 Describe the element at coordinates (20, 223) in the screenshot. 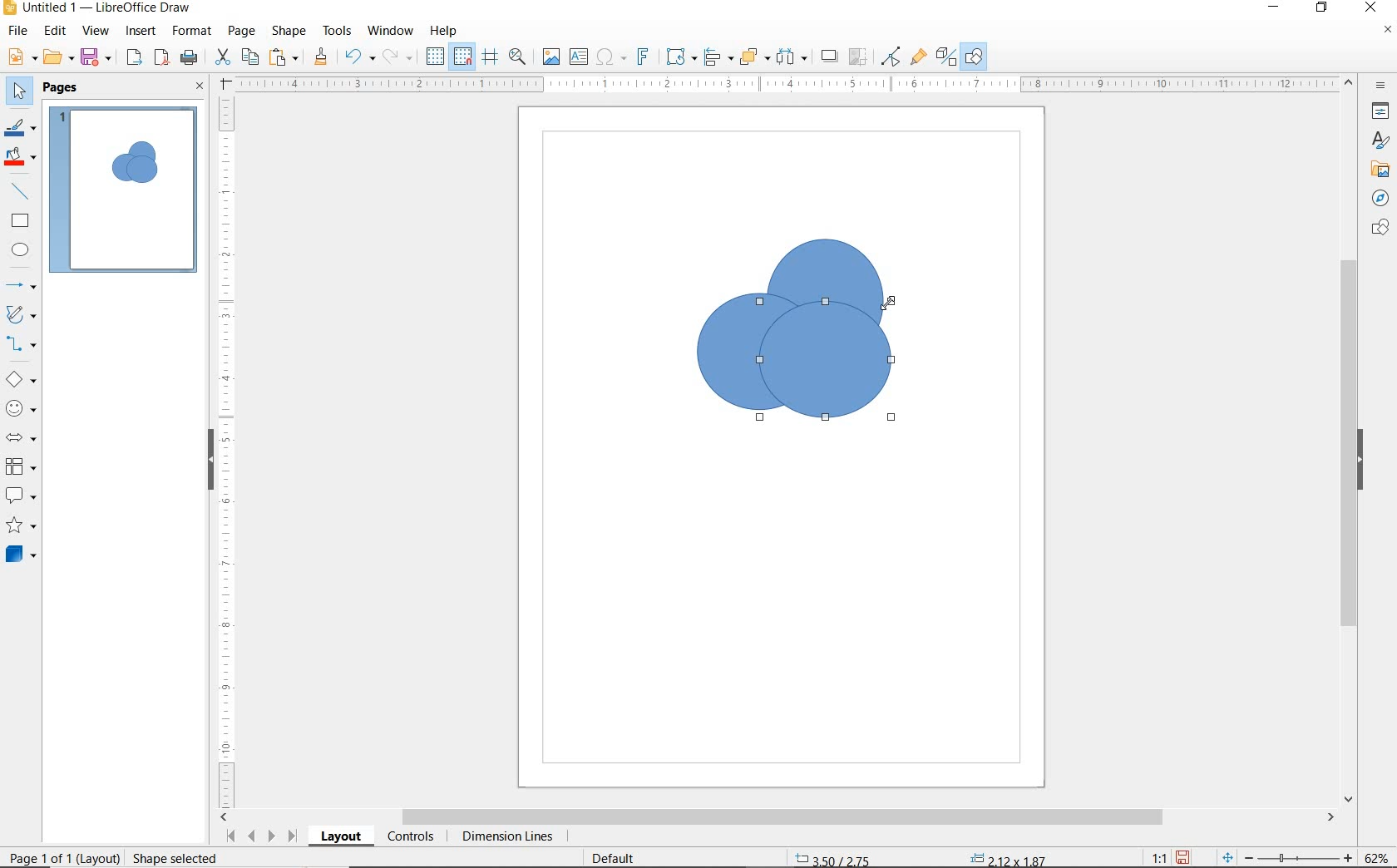

I see `RECTANGLE` at that location.